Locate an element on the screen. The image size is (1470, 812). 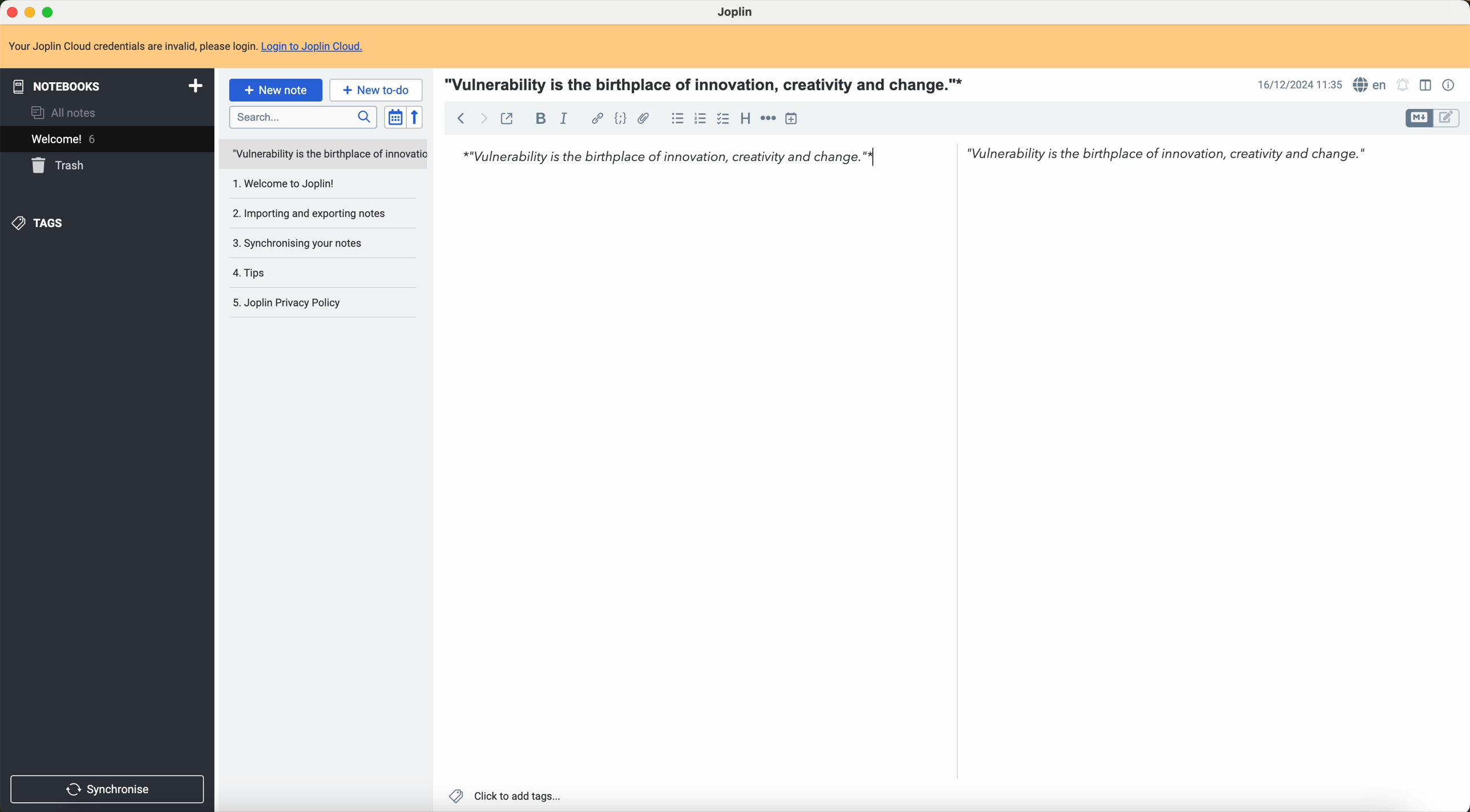
horizontal rule is located at coordinates (768, 118).